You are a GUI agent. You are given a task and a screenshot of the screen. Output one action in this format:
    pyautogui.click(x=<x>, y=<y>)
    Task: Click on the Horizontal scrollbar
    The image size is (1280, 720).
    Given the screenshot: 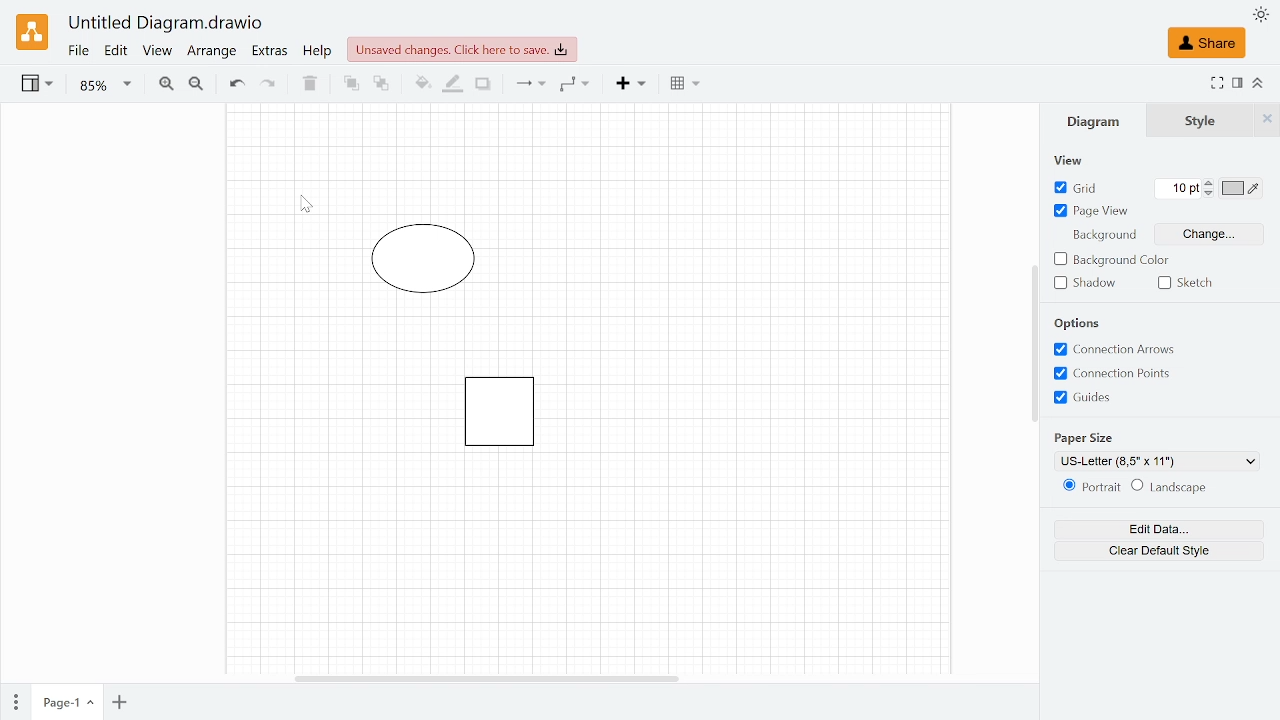 What is the action you would take?
    pyautogui.click(x=485, y=676)
    